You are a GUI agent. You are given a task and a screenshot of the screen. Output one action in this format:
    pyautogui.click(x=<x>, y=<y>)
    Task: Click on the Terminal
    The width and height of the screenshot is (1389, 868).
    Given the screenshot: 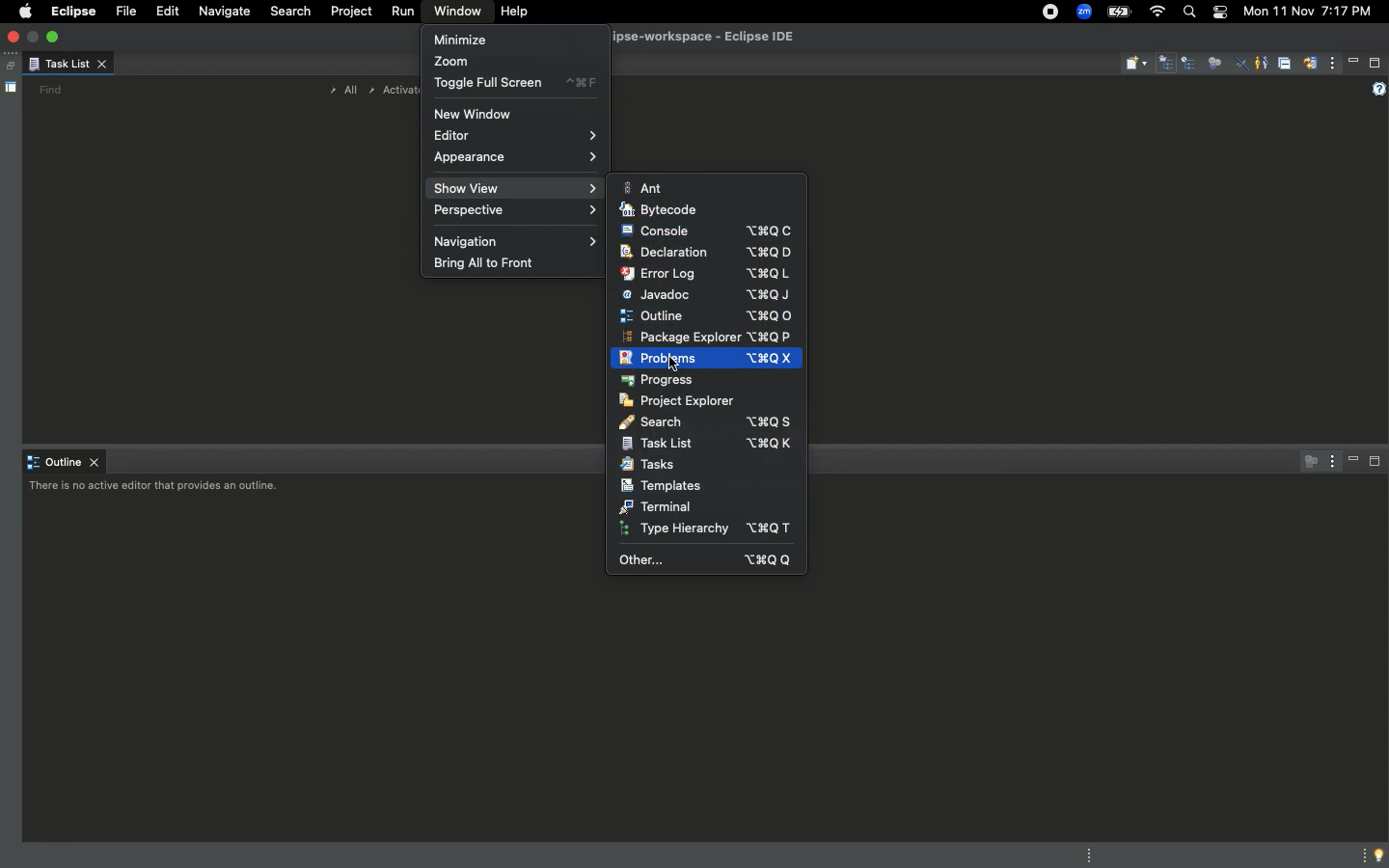 What is the action you would take?
    pyautogui.click(x=664, y=507)
    